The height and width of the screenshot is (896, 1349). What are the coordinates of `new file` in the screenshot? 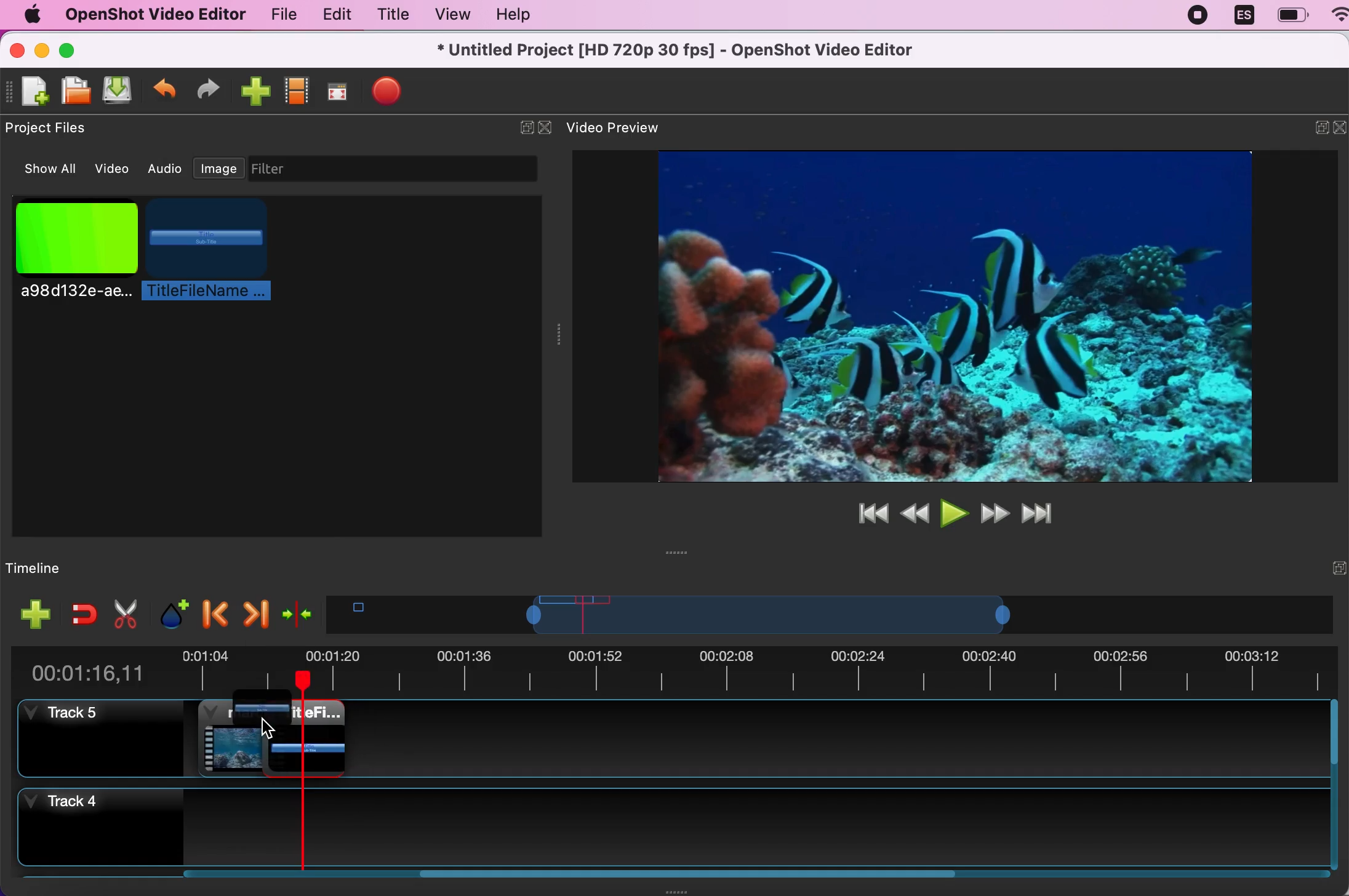 It's located at (30, 92).